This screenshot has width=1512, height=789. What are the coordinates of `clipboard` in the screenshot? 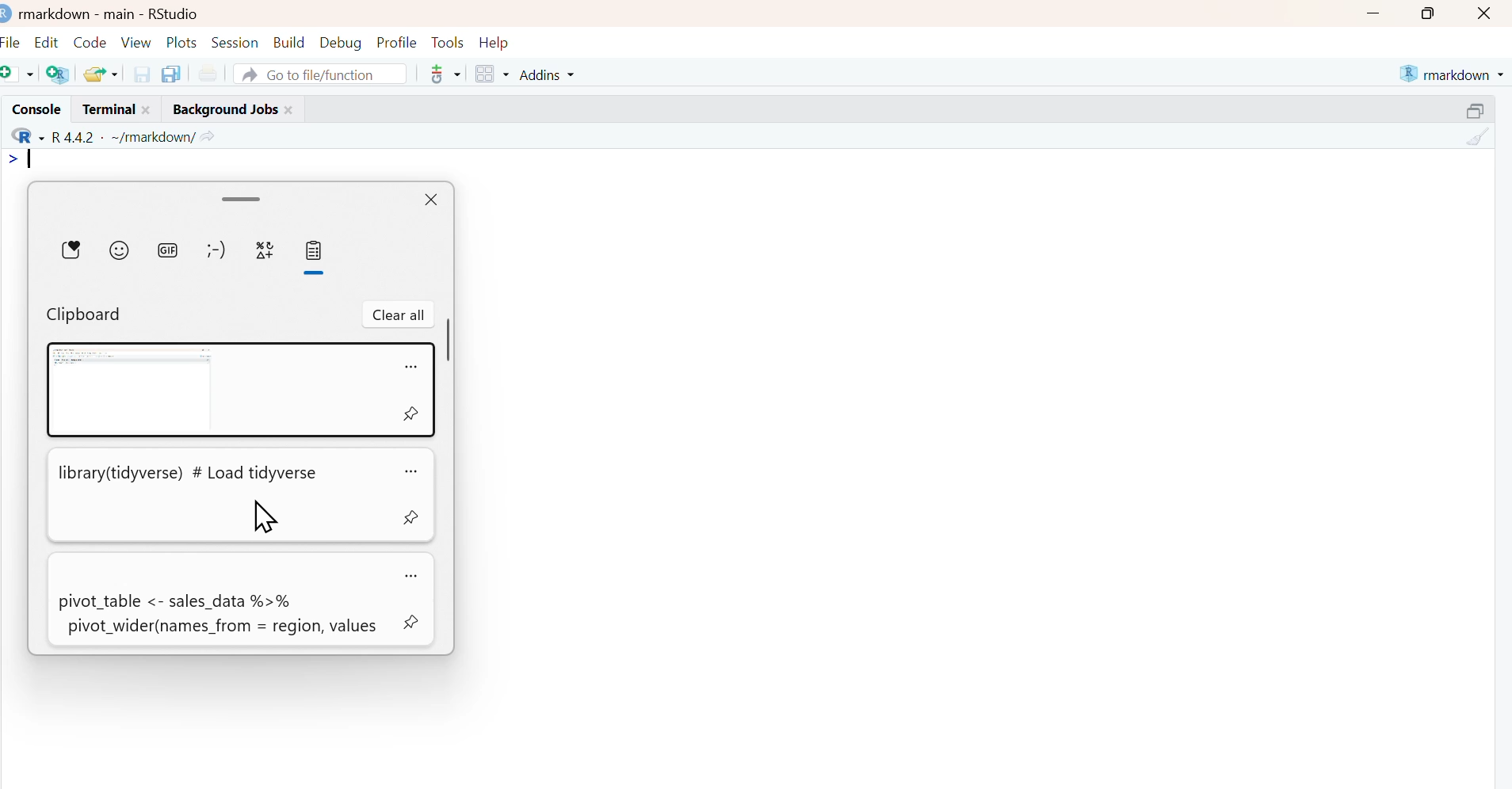 It's located at (318, 257).